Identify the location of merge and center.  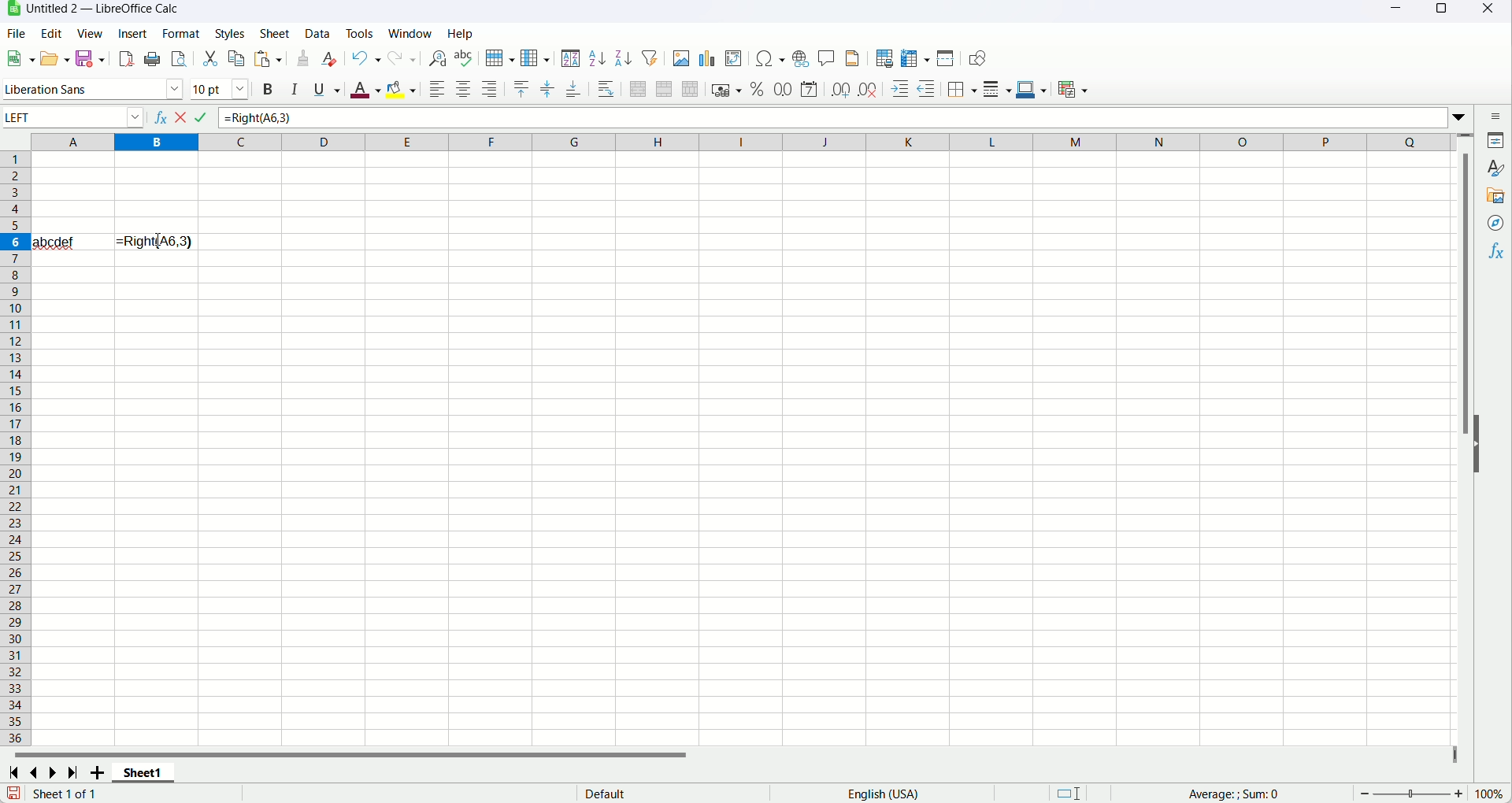
(637, 90).